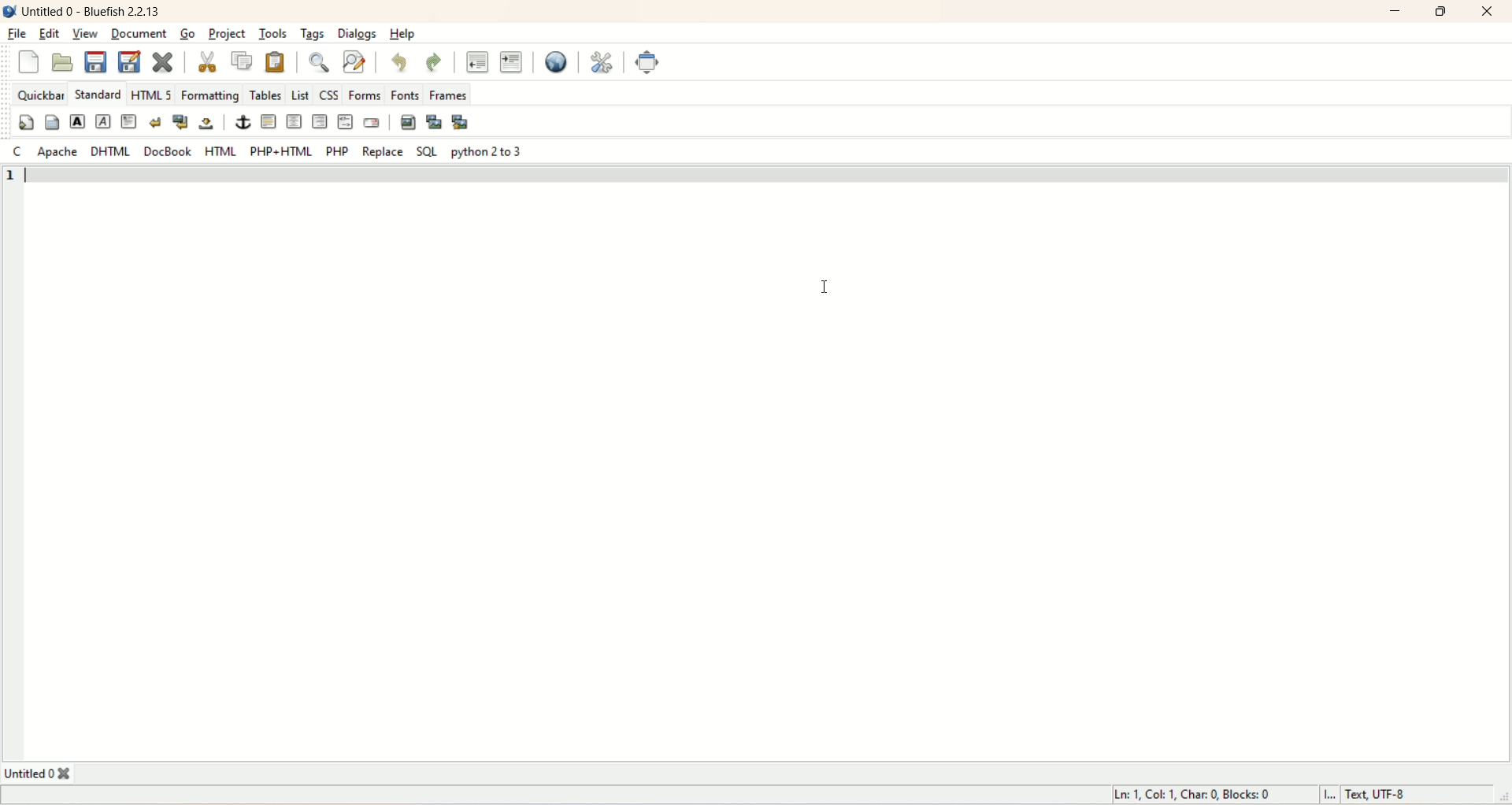 The image size is (1512, 805). Describe the element at coordinates (169, 151) in the screenshot. I see `docbook` at that location.